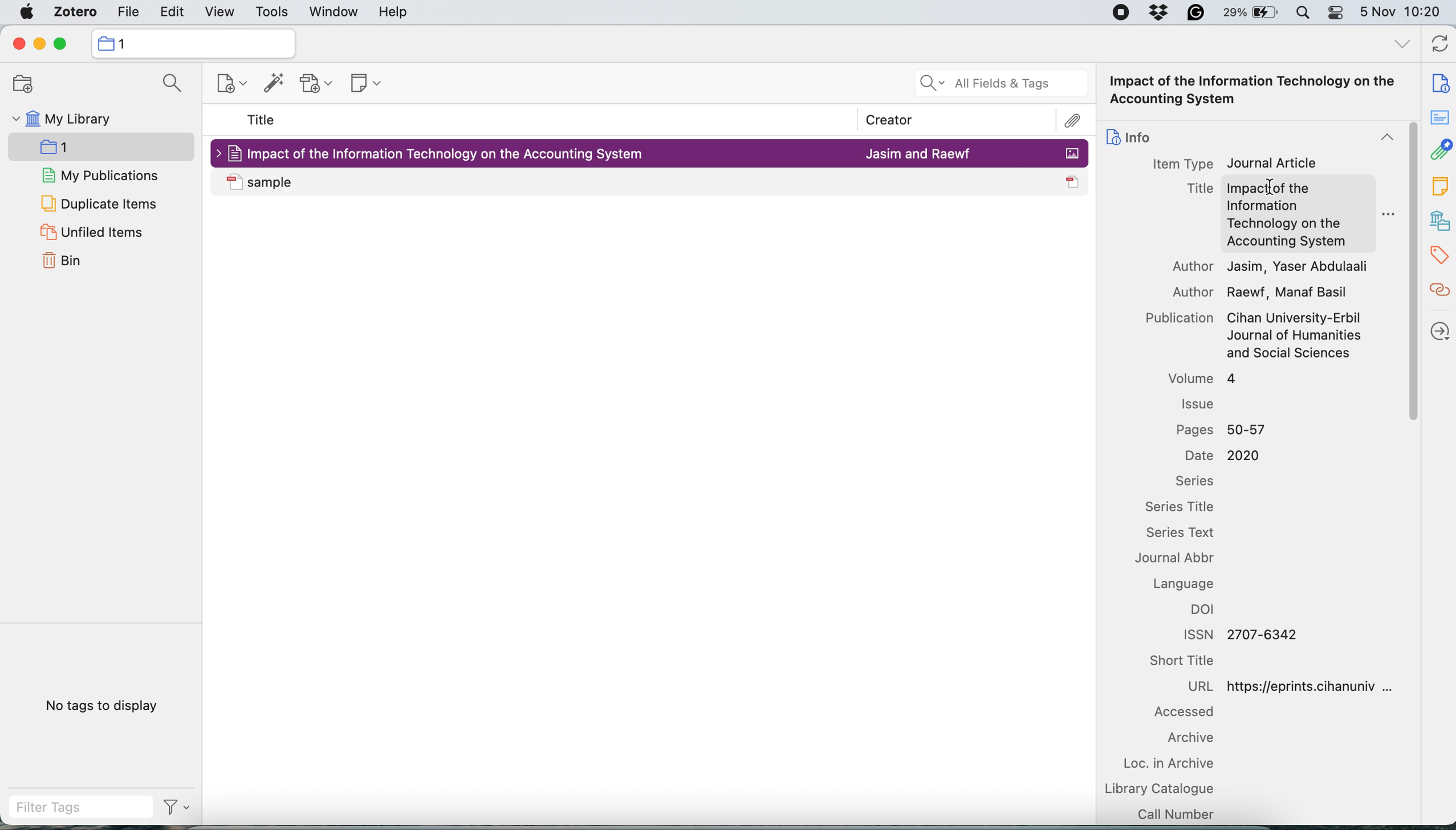  What do you see at coordinates (1306, 14) in the screenshot?
I see `spotlight search` at bounding box center [1306, 14].